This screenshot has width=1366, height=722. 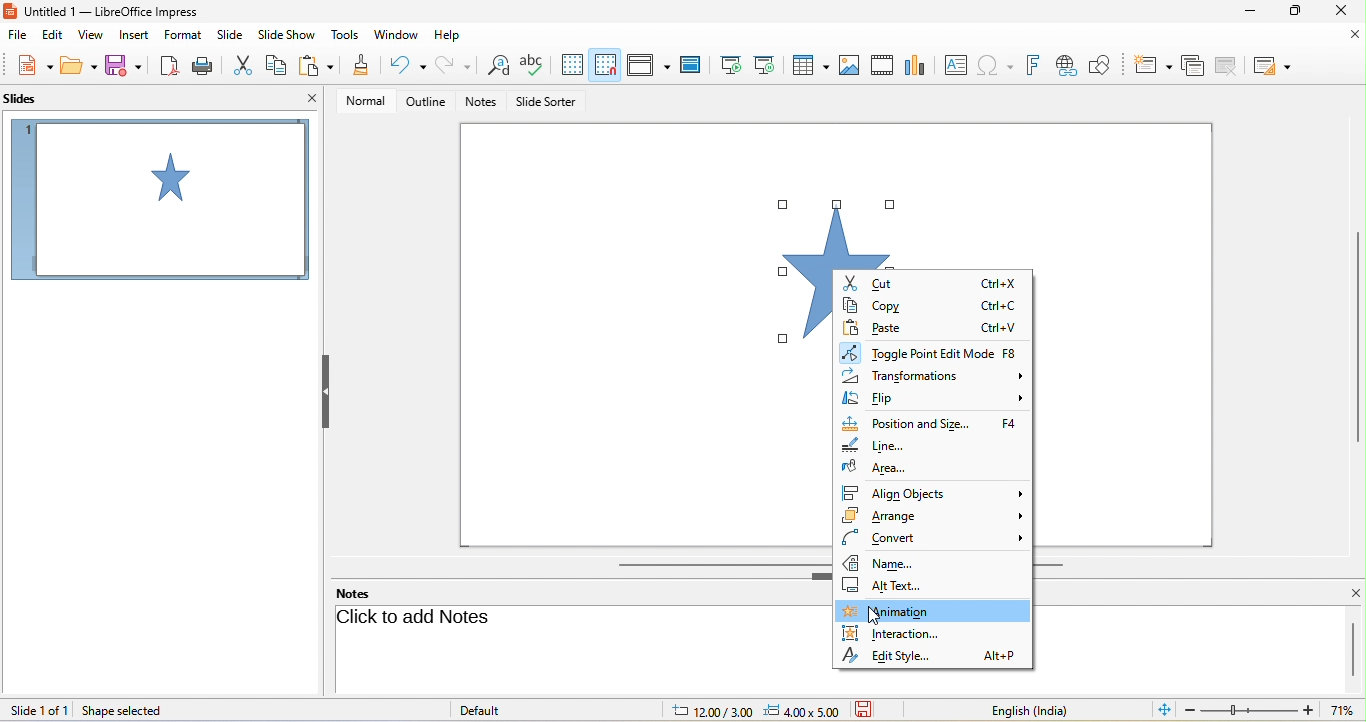 What do you see at coordinates (1153, 67) in the screenshot?
I see `new slide` at bounding box center [1153, 67].